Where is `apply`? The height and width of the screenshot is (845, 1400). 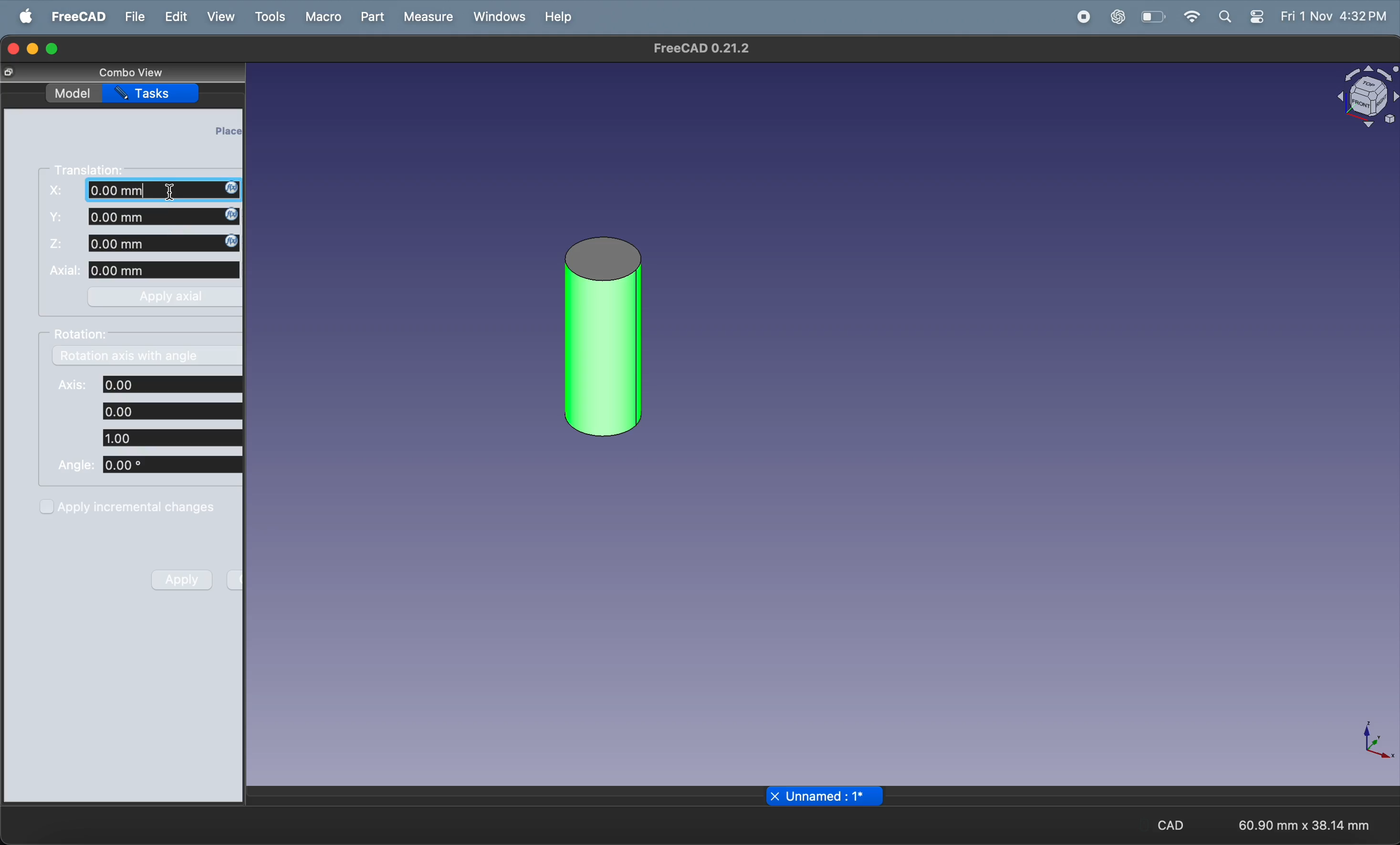
apply is located at coordinates (178, 582).